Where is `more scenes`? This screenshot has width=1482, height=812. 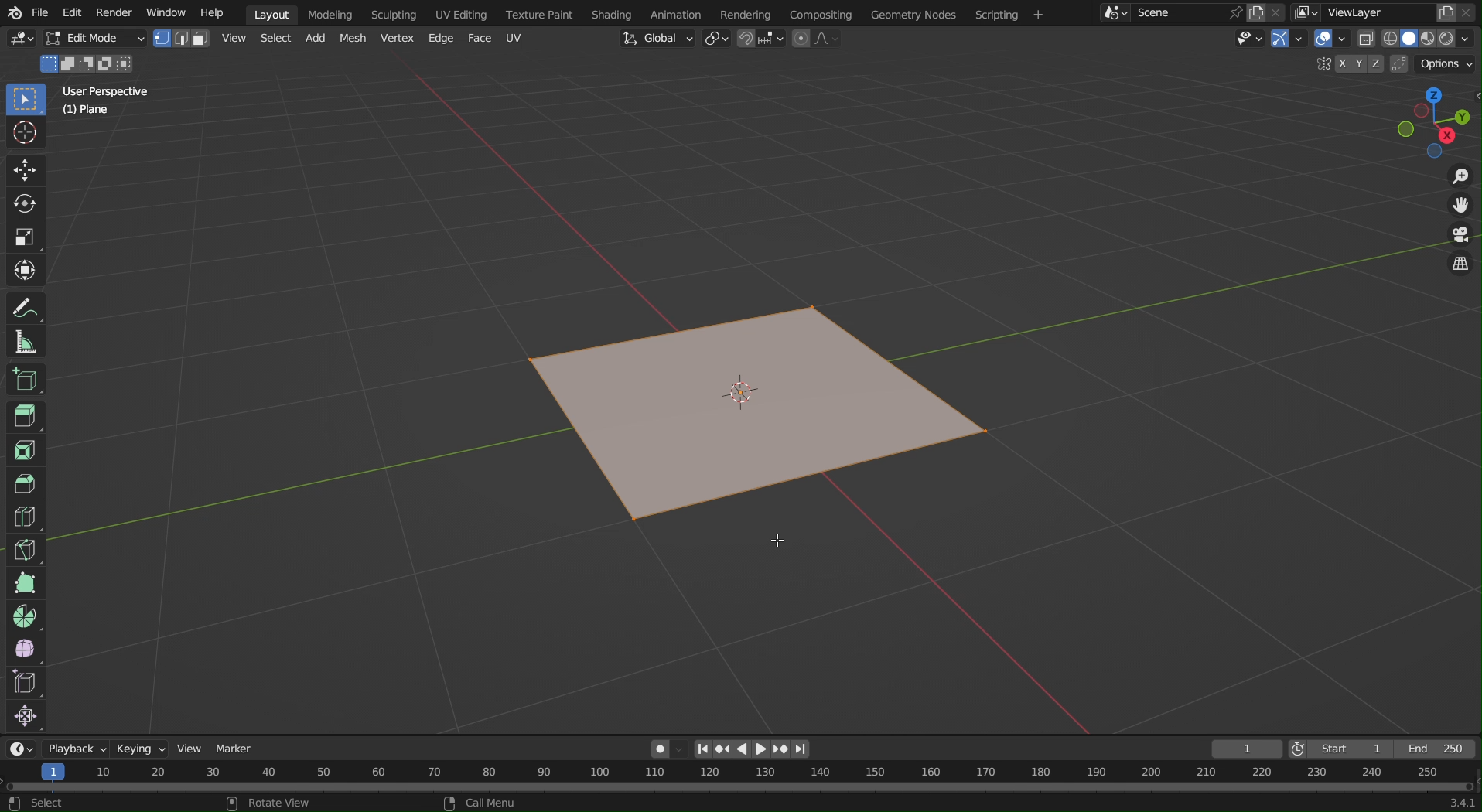
more scenes is located at coordinates (1114, 15).